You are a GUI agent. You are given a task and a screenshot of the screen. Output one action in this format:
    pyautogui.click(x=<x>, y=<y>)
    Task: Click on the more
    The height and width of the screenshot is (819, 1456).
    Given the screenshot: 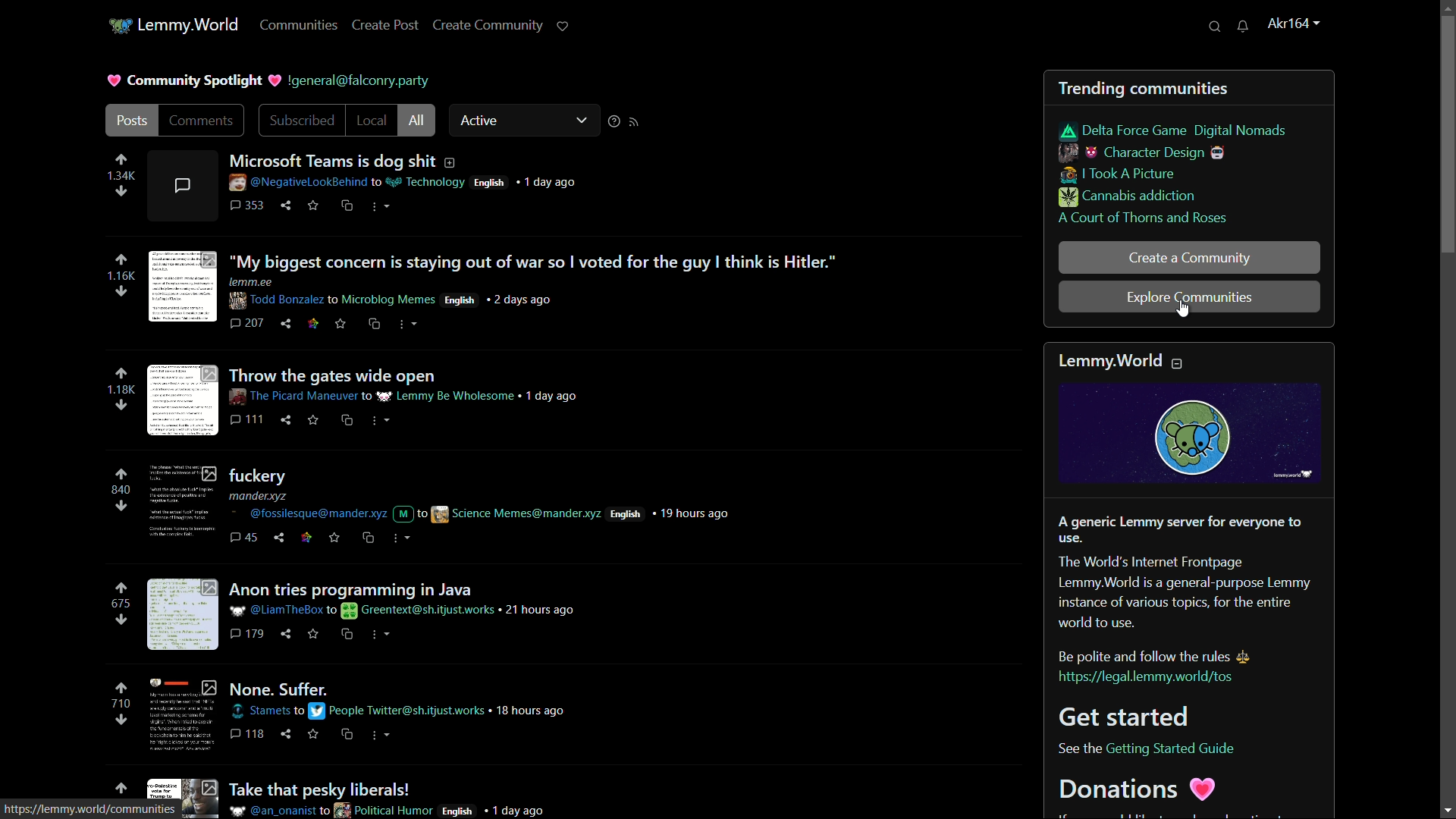 What is the action you would take?
    pyautogui.click(x=378, y=633)
    